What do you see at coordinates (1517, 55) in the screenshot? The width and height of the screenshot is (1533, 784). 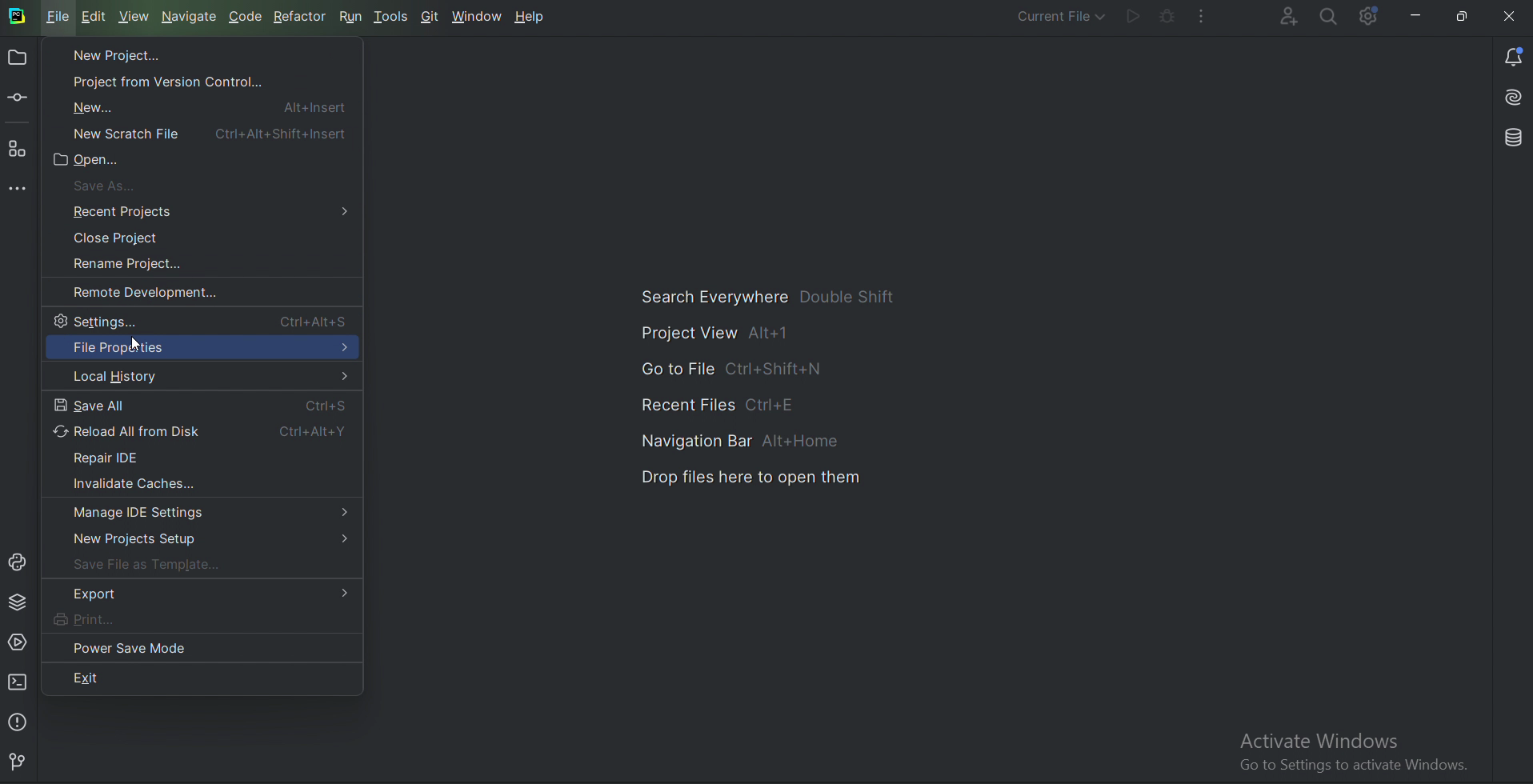 I see `Notifications` at bounding box center [1517, 55].